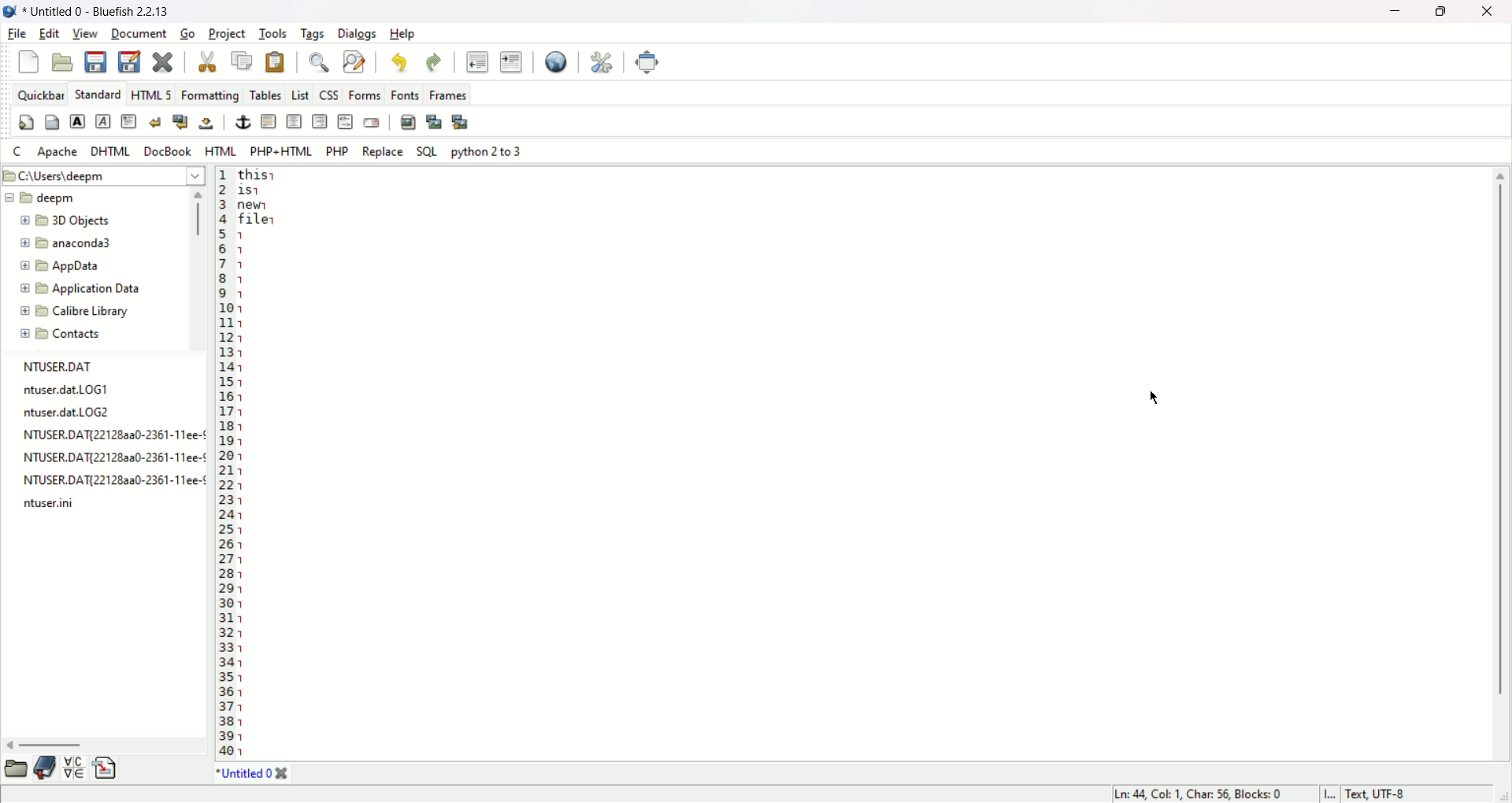 Image resolution: width=1512 pixels, height=803 pixels. What do you see at coordinates (1161, 403) in the screenshot?
I see `Cursor` at bounding box center [1161, 403].